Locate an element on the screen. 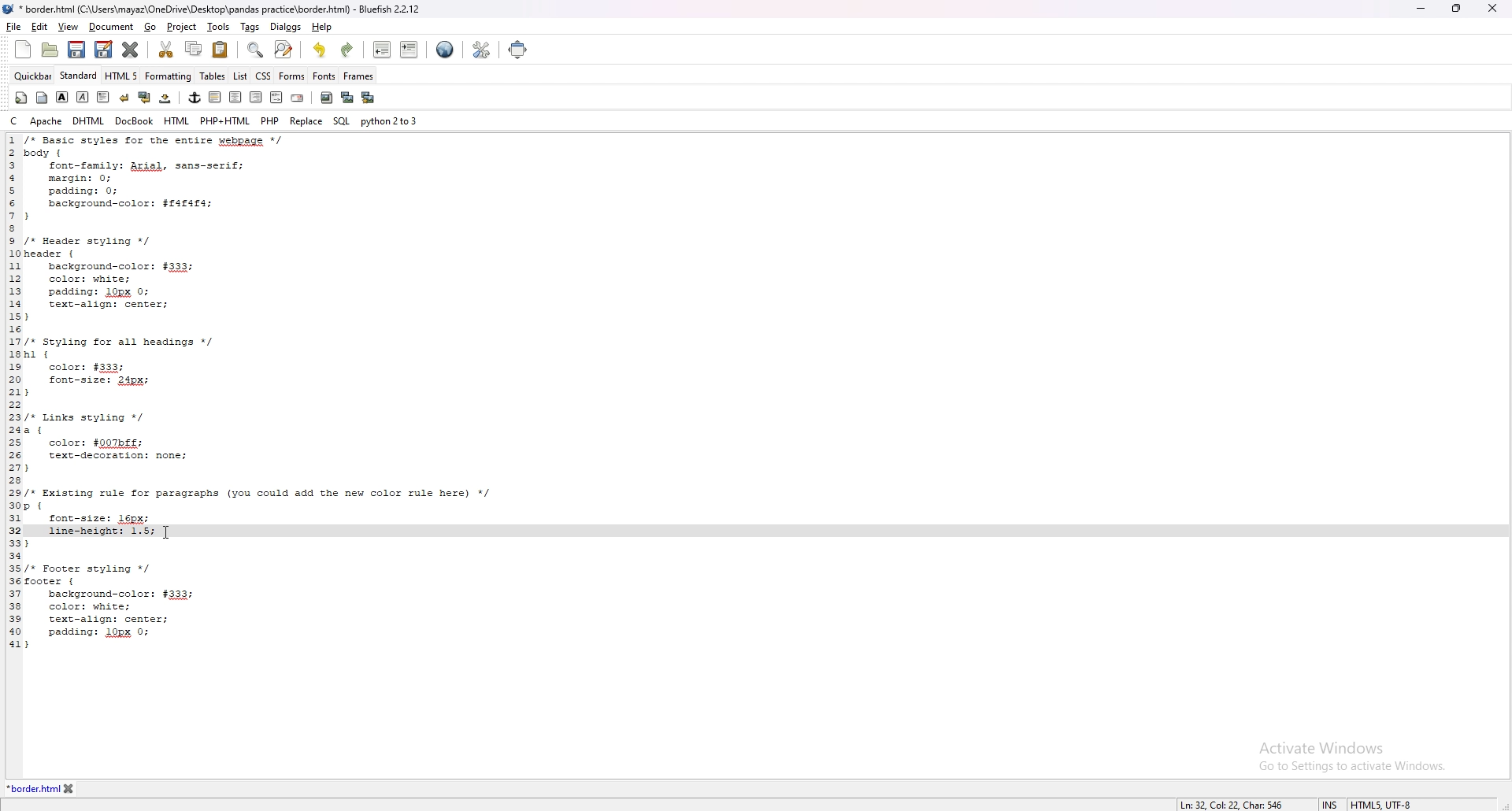 This screenshot has width=1512, height=811. sql is located at coordinates (342, 120).